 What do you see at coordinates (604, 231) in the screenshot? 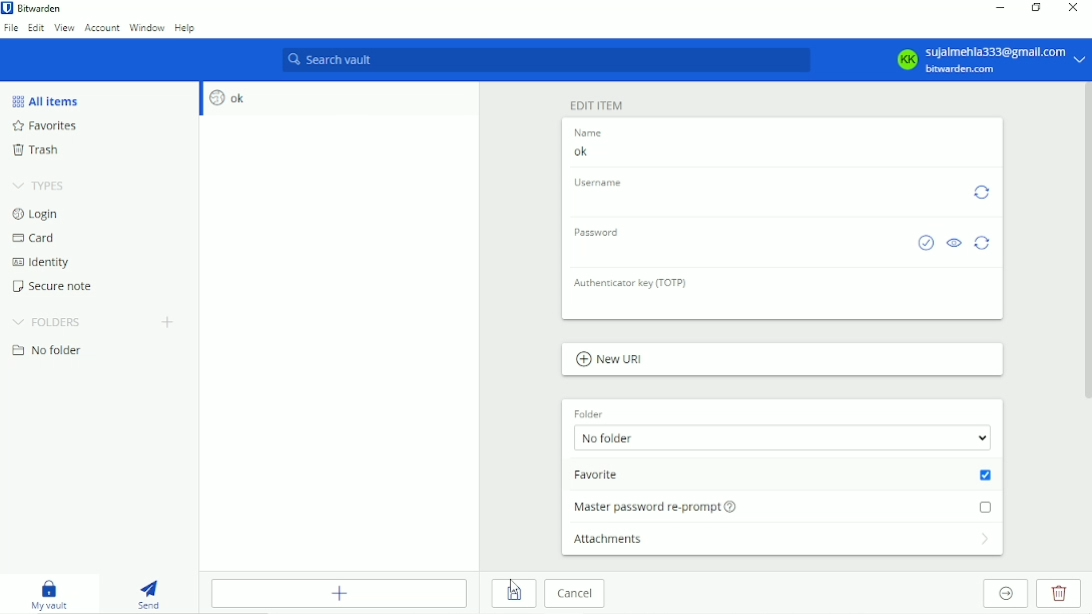
I see `Password` at bounding box center [604, 231].